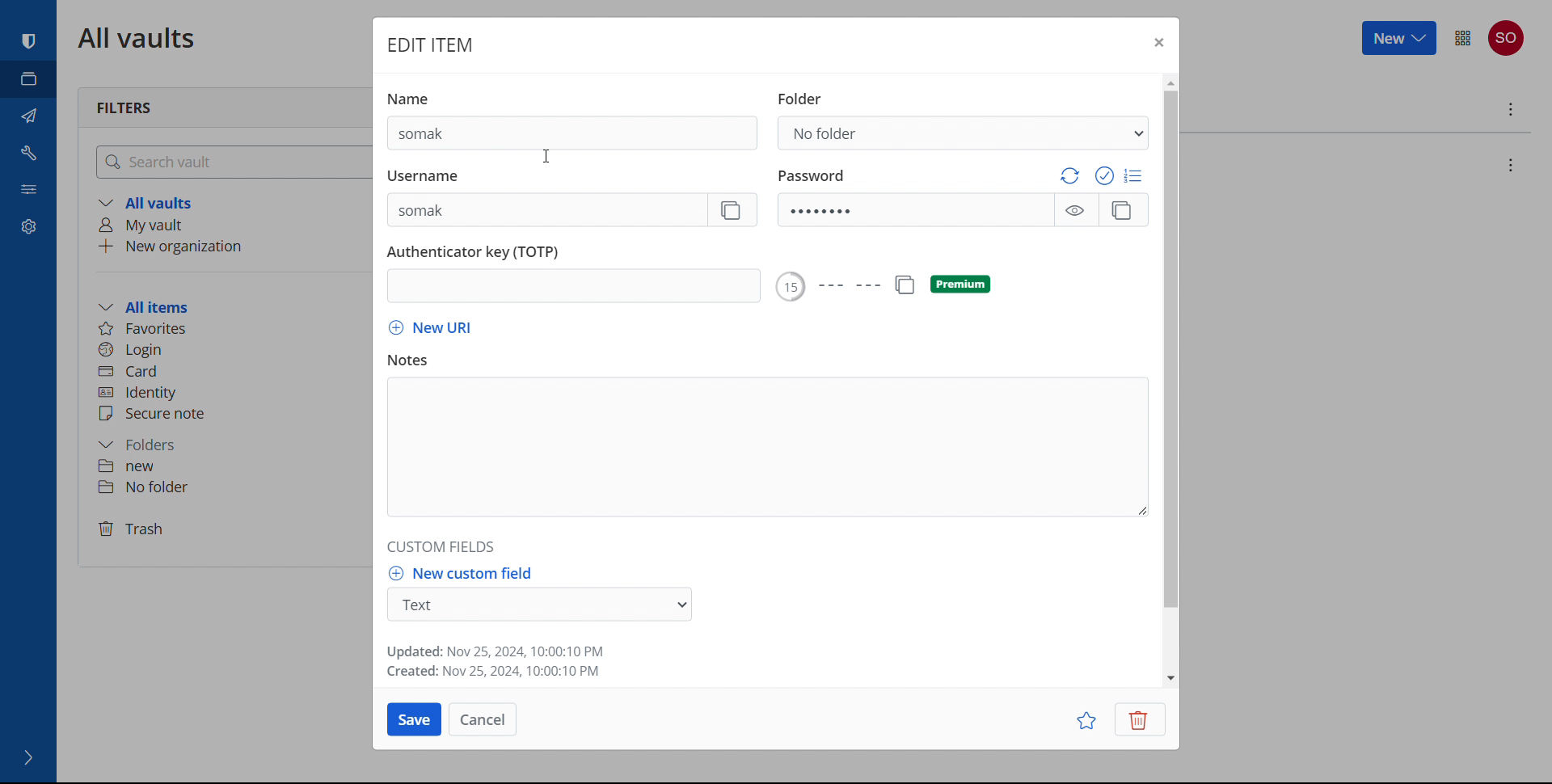 This screenshot has height=784, width=1552. Describe the element at coordinates (904, 285) in the screenshot. I see `copy` at that location.